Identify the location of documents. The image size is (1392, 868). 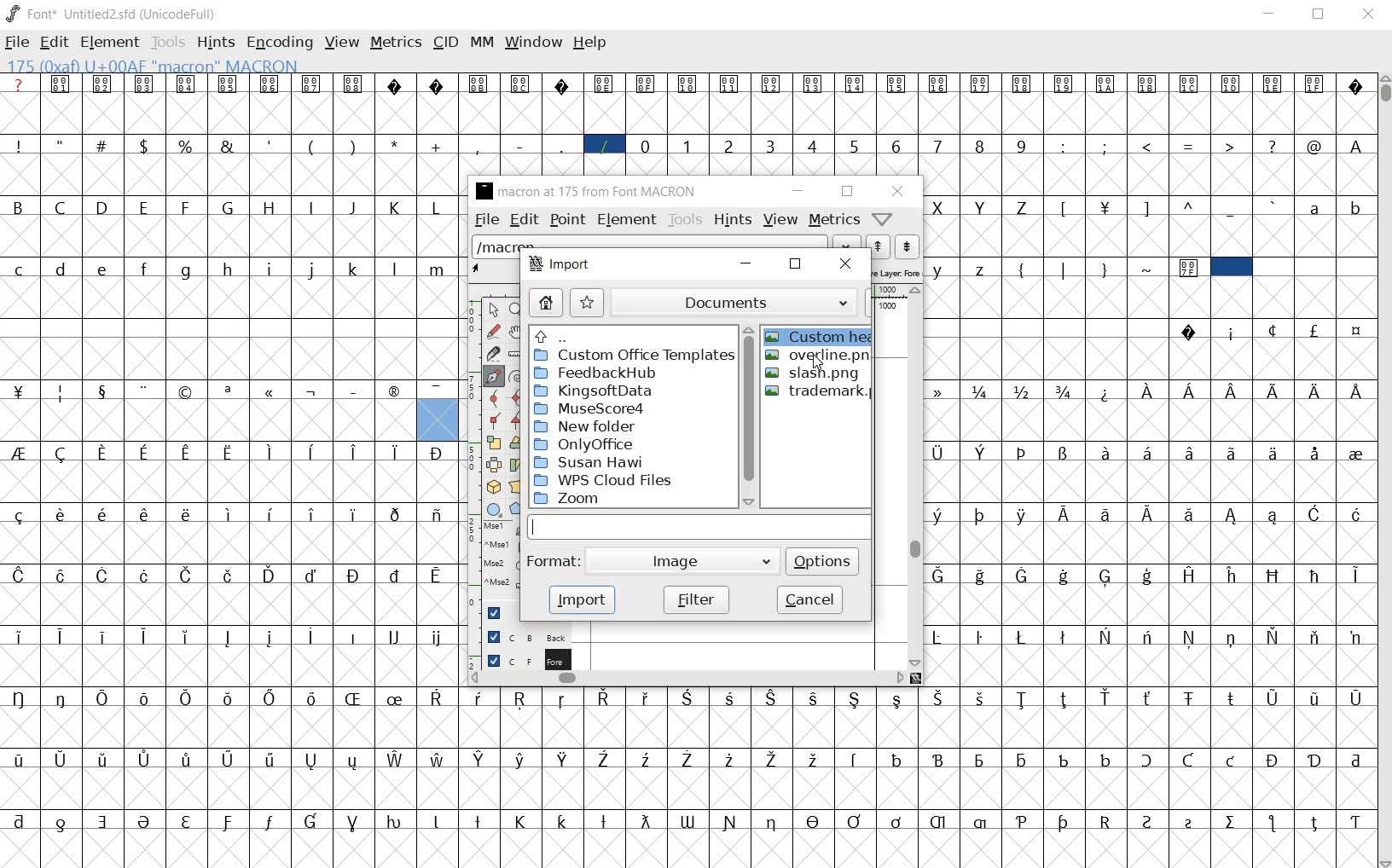
(722, 303).